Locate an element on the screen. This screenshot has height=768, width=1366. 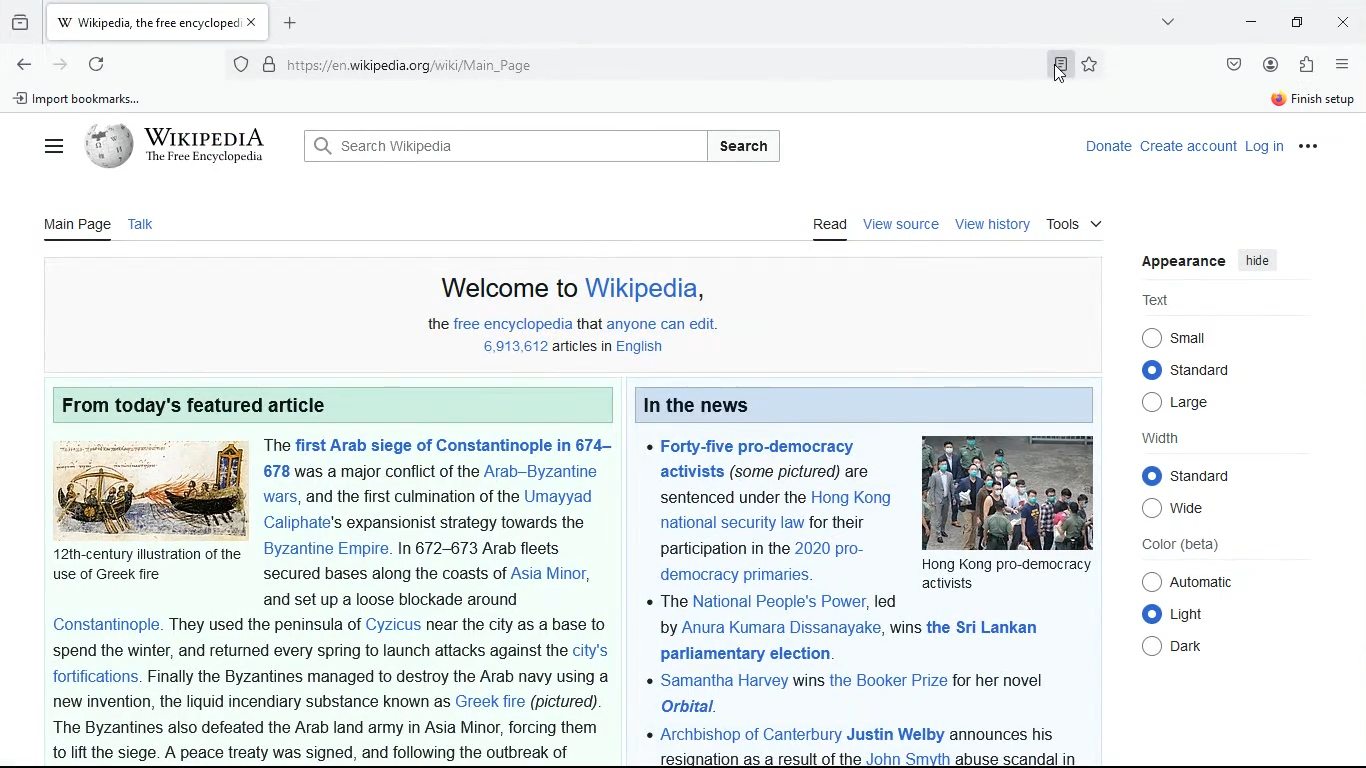
log in is located at coordinates (1266, 146).